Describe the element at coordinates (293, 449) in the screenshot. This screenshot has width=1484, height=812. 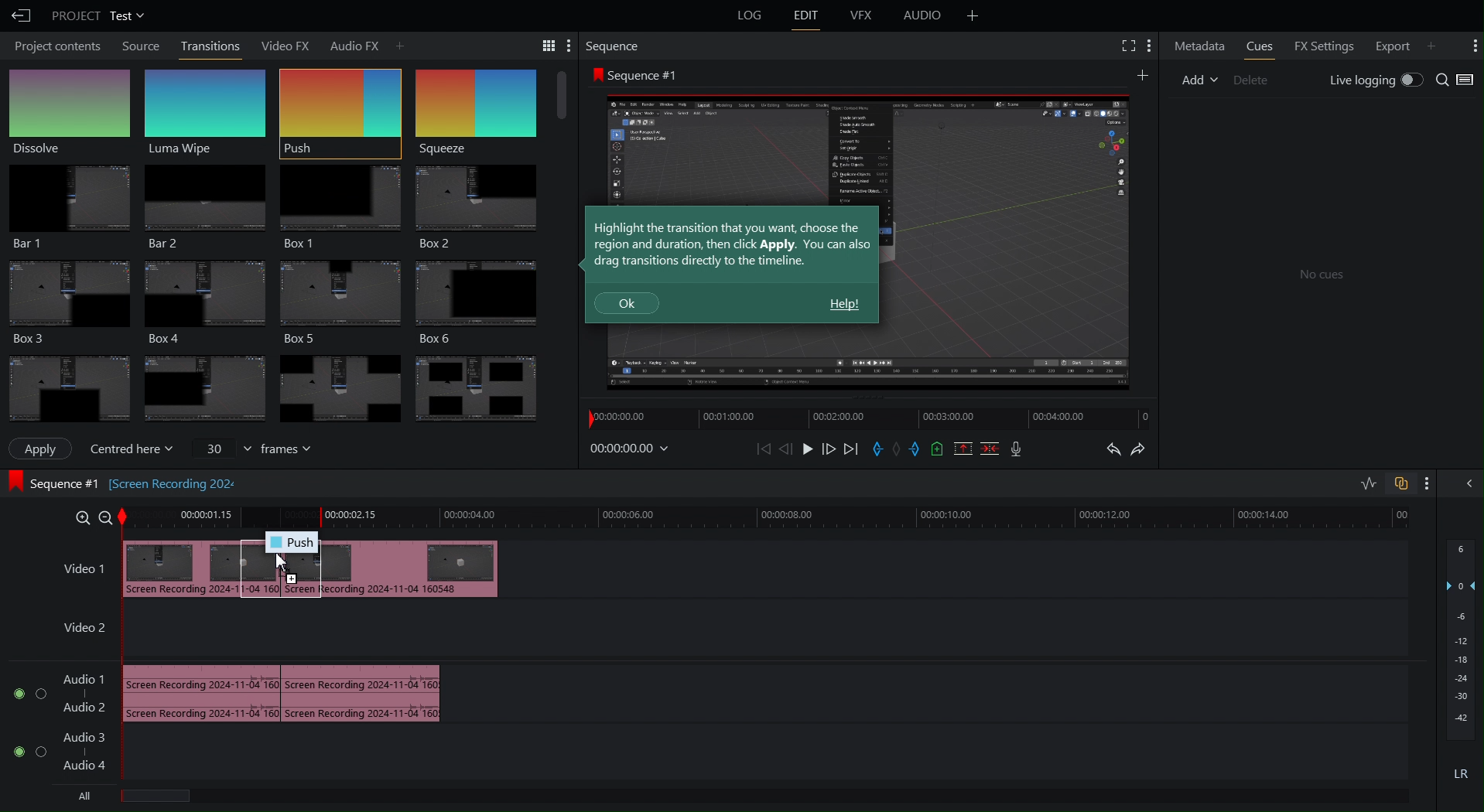
I see `frames` at that location.